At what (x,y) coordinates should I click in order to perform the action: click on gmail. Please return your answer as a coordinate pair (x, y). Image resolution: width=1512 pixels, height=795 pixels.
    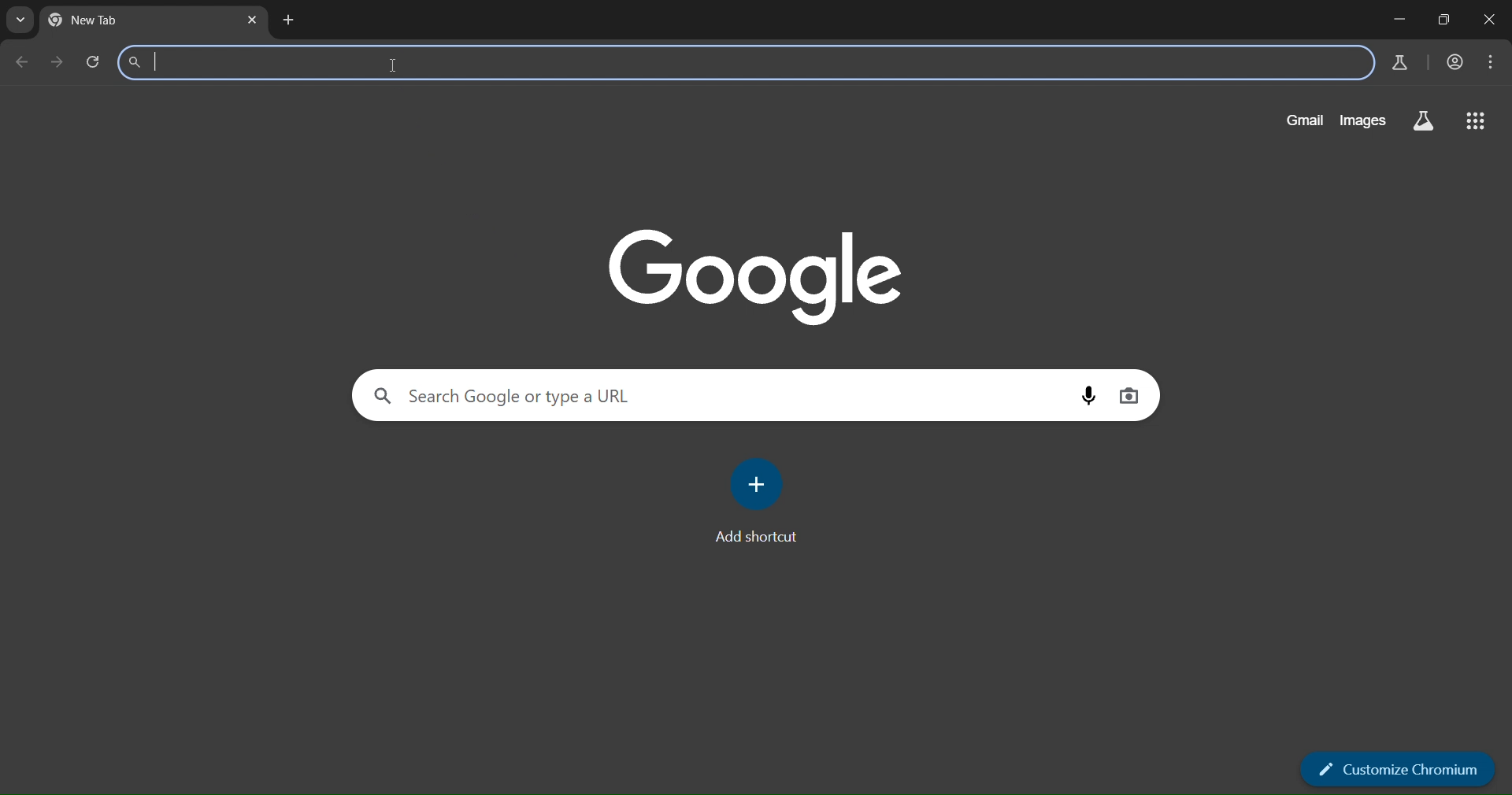
    Looking at the image, I should click on (1306, 119).